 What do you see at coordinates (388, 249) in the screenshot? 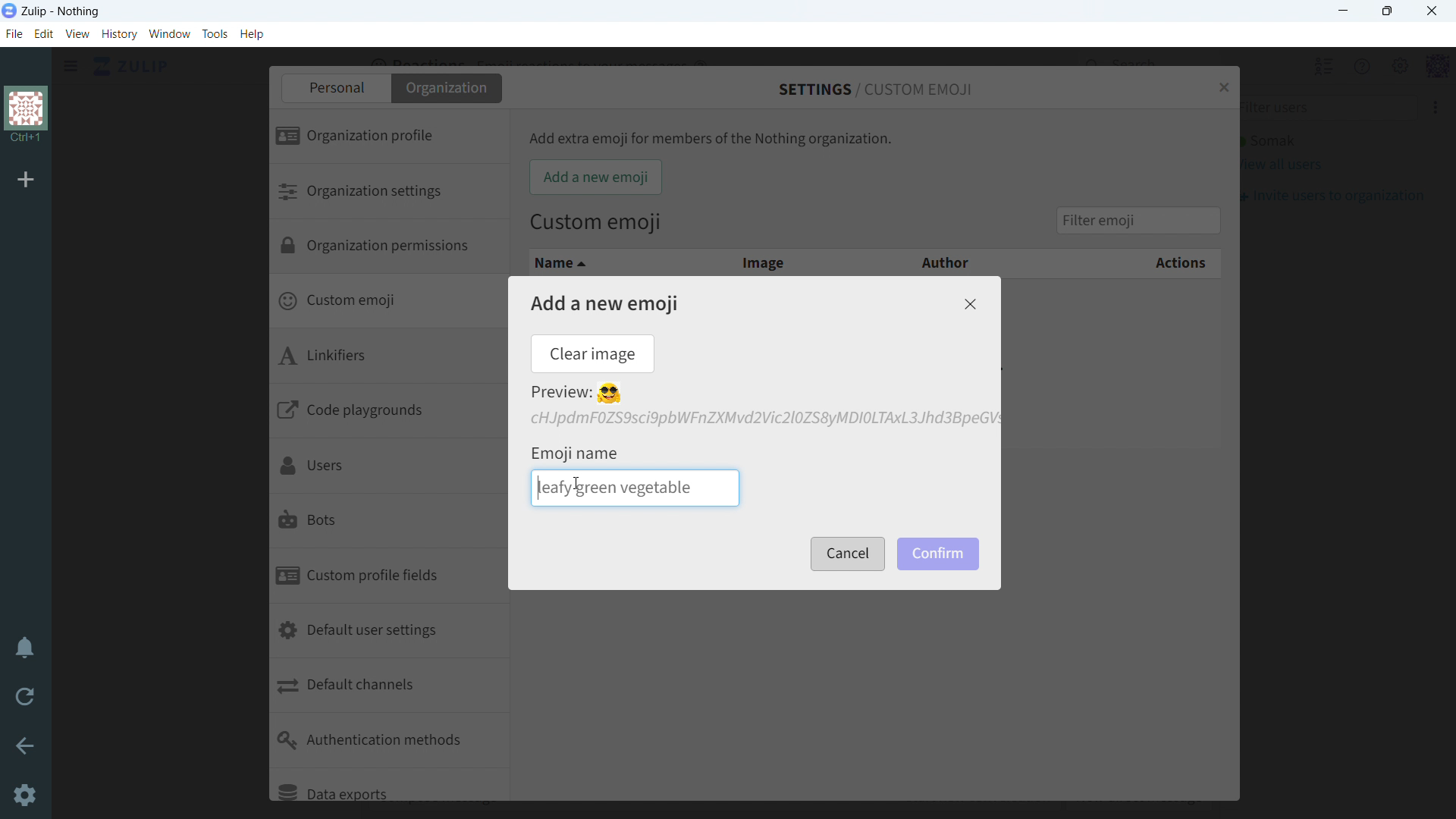
I see `organization permissions` at bounding box center [388, 249].